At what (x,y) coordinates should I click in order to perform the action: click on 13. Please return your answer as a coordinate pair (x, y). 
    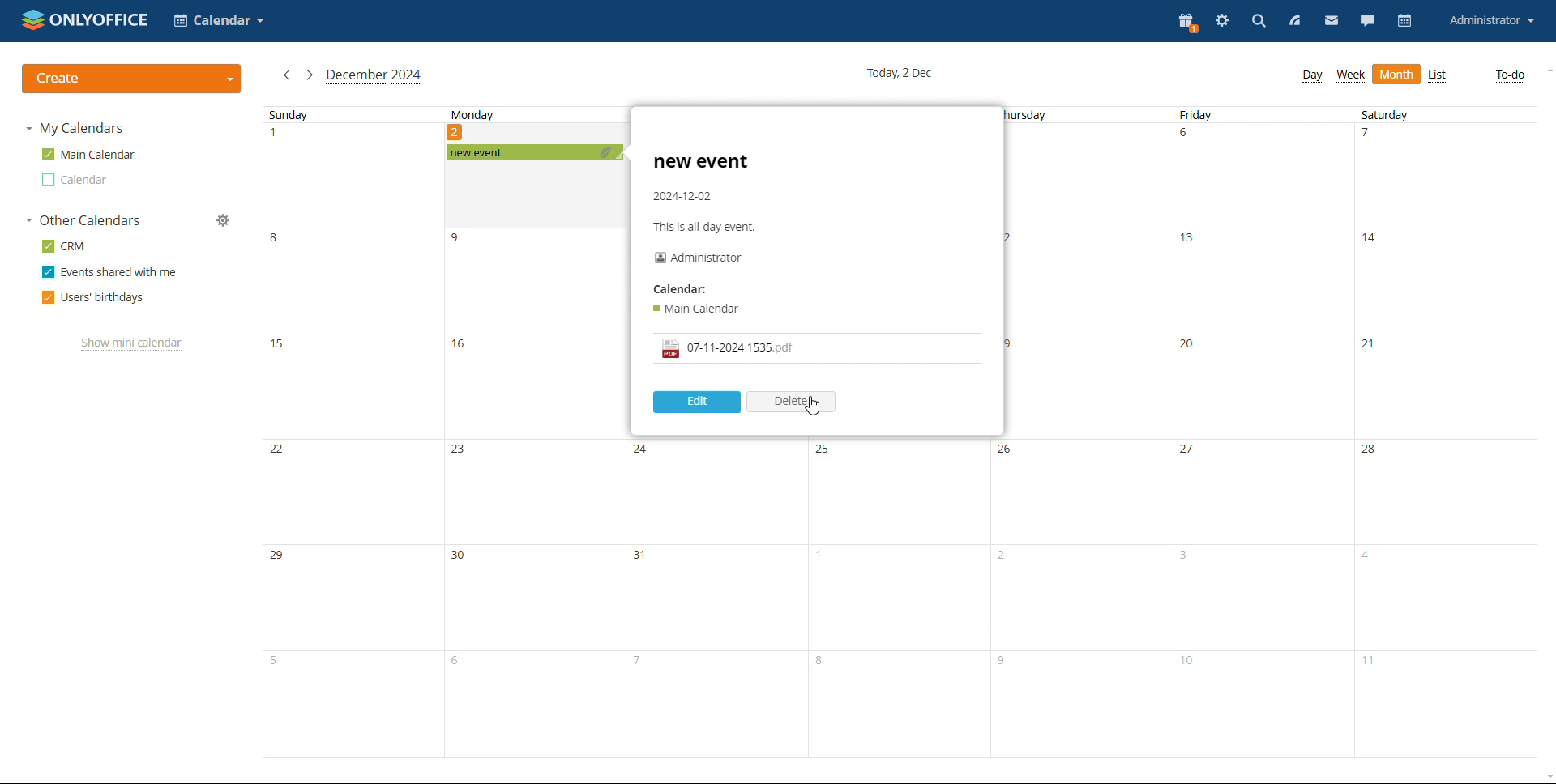
    Looking at the image, I should click on (1191, 244).